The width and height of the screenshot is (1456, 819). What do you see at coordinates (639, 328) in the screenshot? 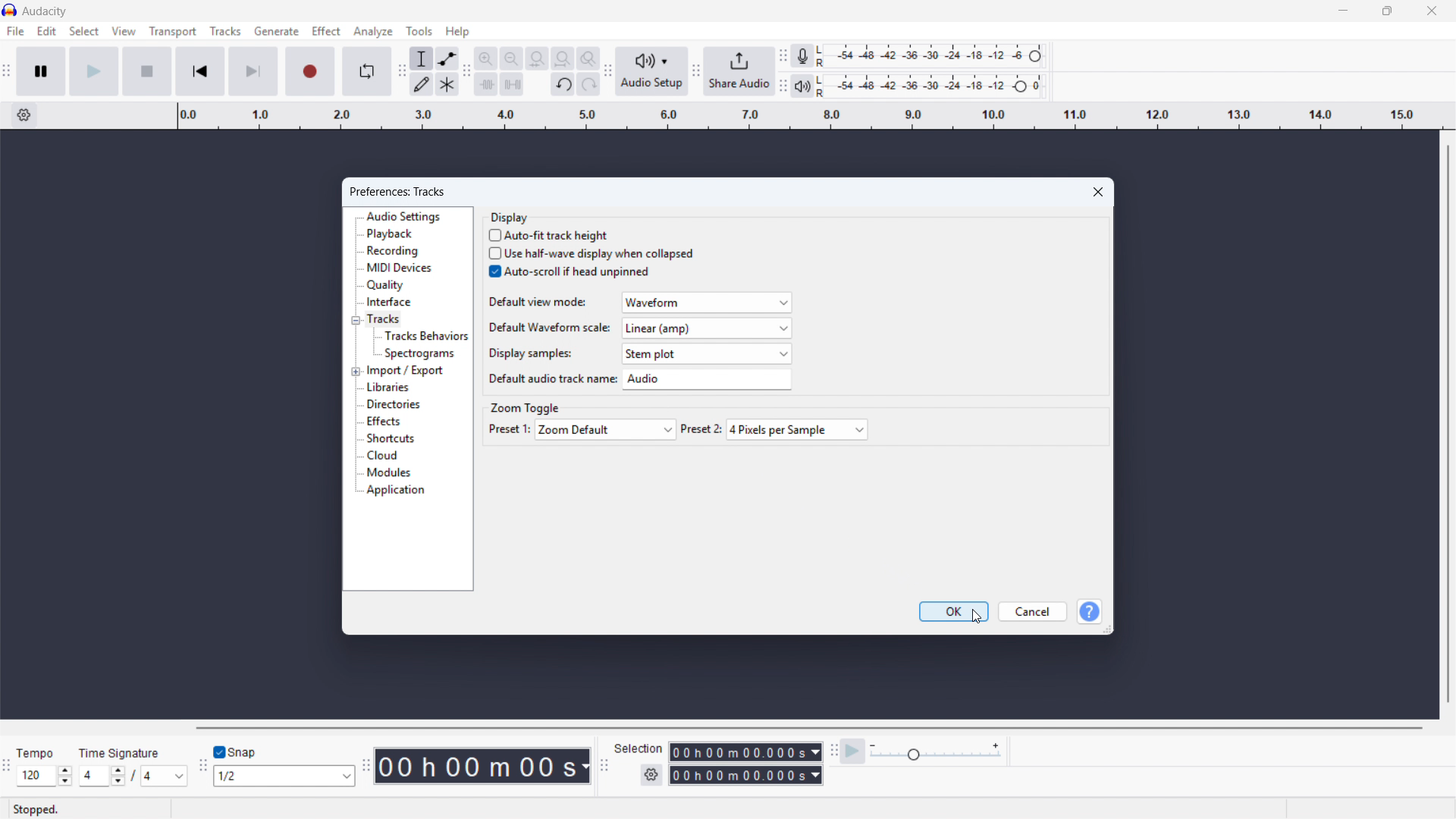
I see `default waveform scale` at bounding box center [639, 328].